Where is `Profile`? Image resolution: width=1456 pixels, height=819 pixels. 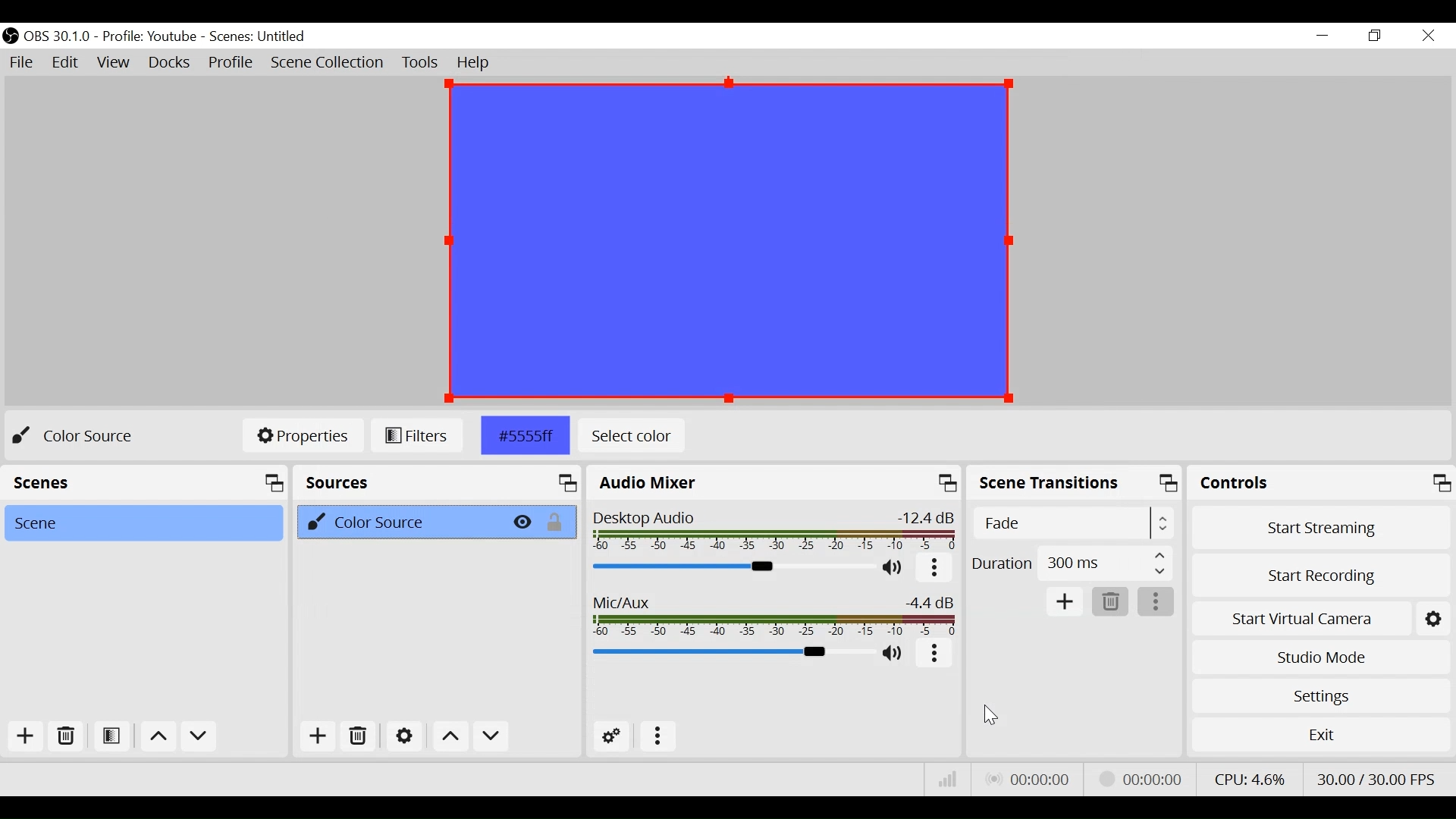 Profile is located at coordinates (231, 62).